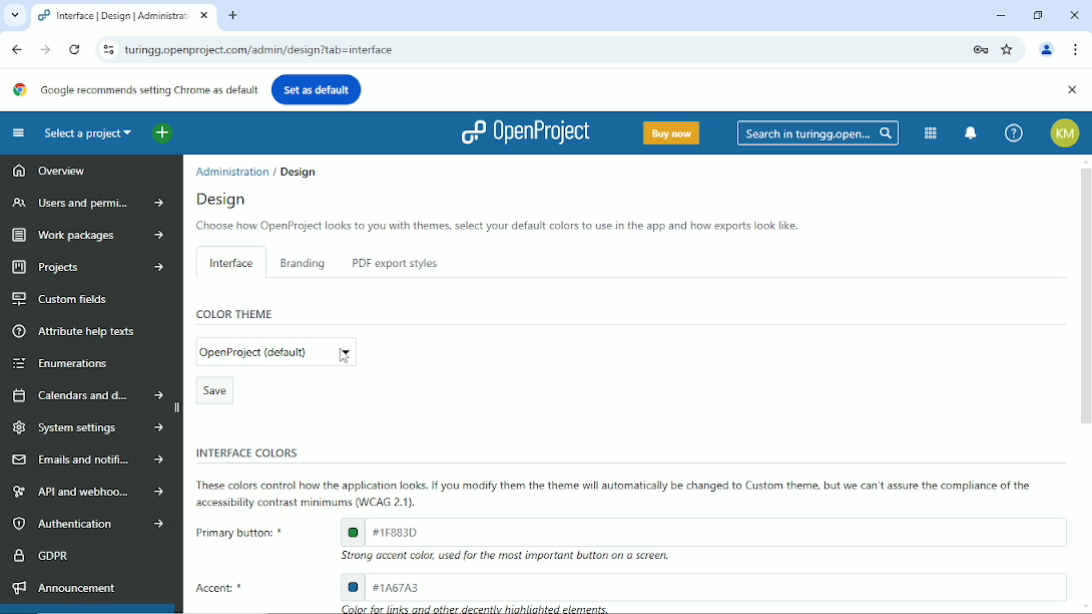  I want to click on Projects, so click(84, 268).